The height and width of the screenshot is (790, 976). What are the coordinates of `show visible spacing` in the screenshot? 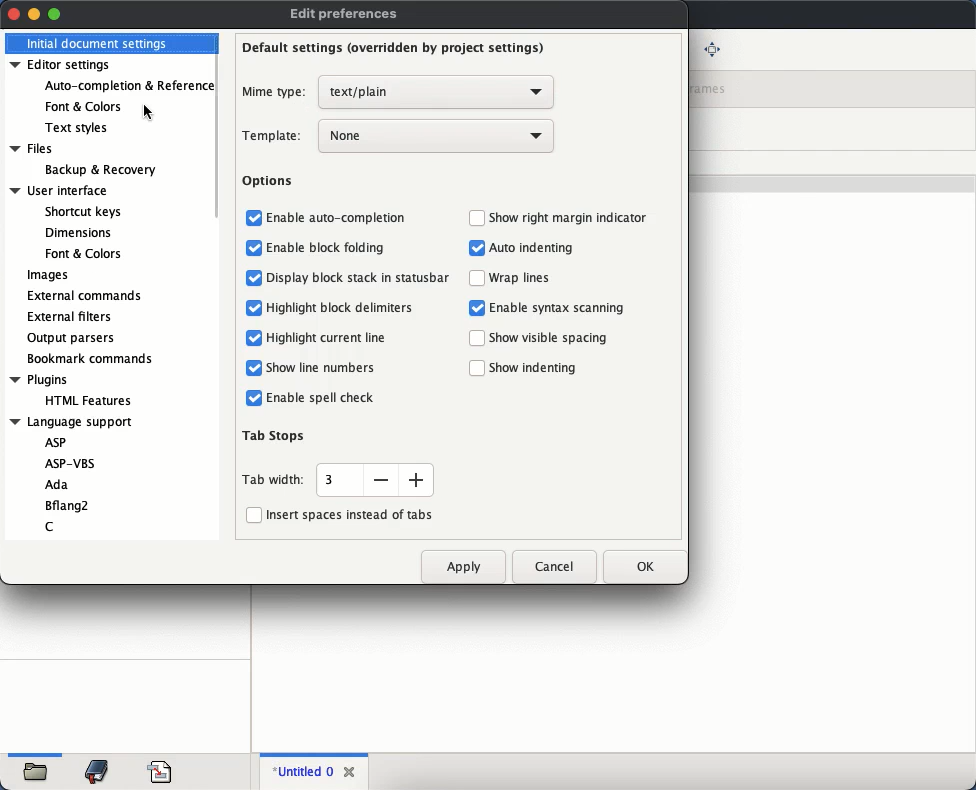 It's located at (537, 339).